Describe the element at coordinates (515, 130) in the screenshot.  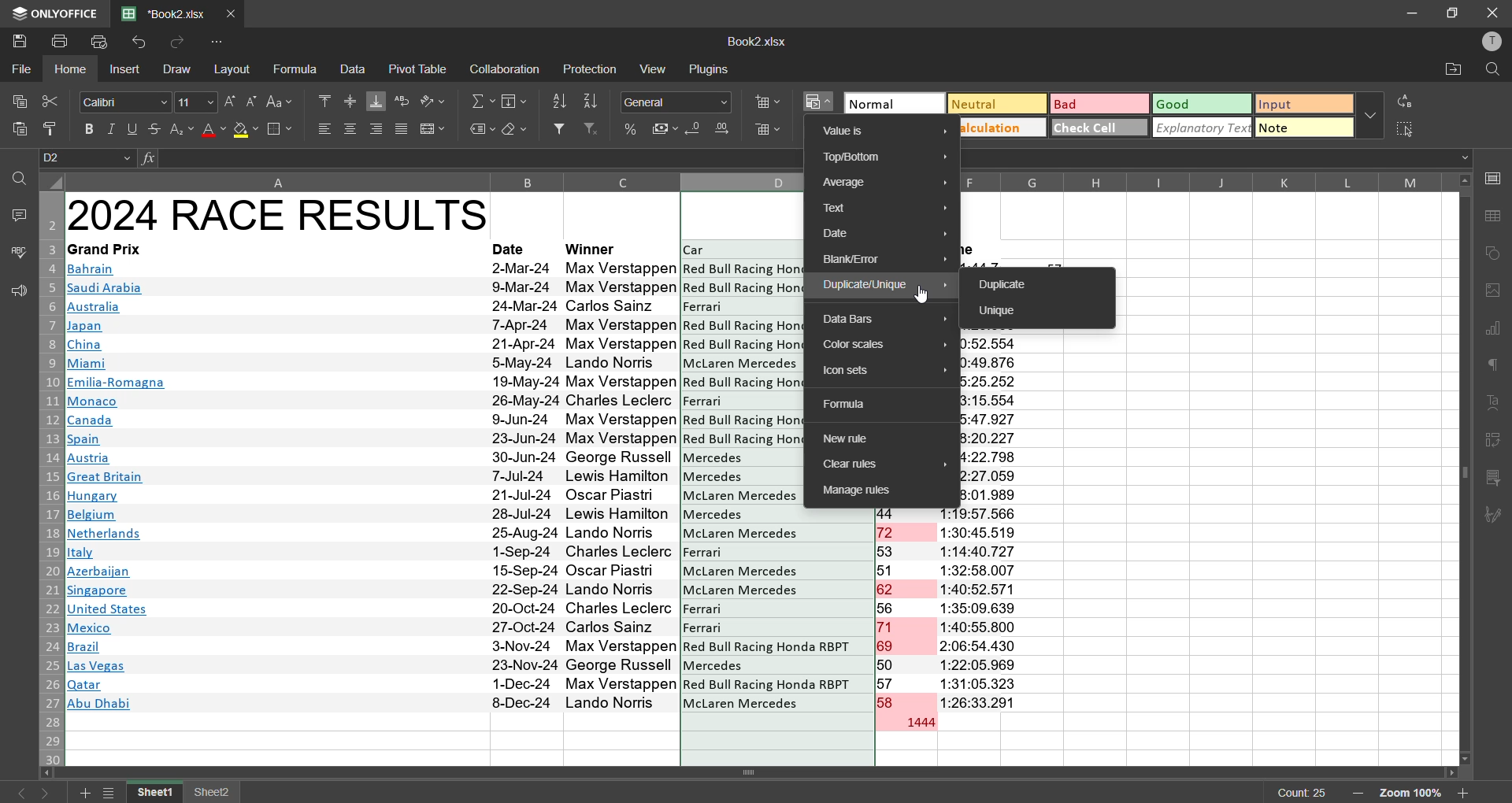
I see `clear` at that location.